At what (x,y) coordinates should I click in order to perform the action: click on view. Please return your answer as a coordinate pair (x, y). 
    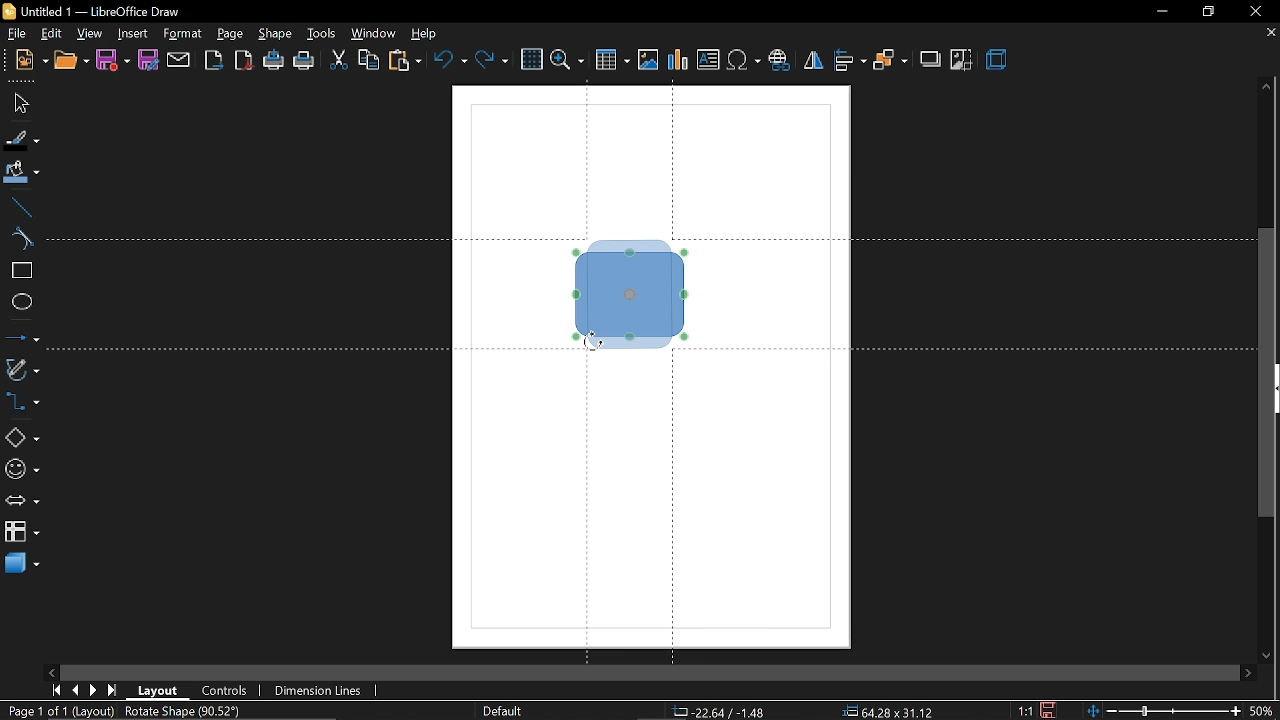
    Looking at the image, I should click on (91, 35).